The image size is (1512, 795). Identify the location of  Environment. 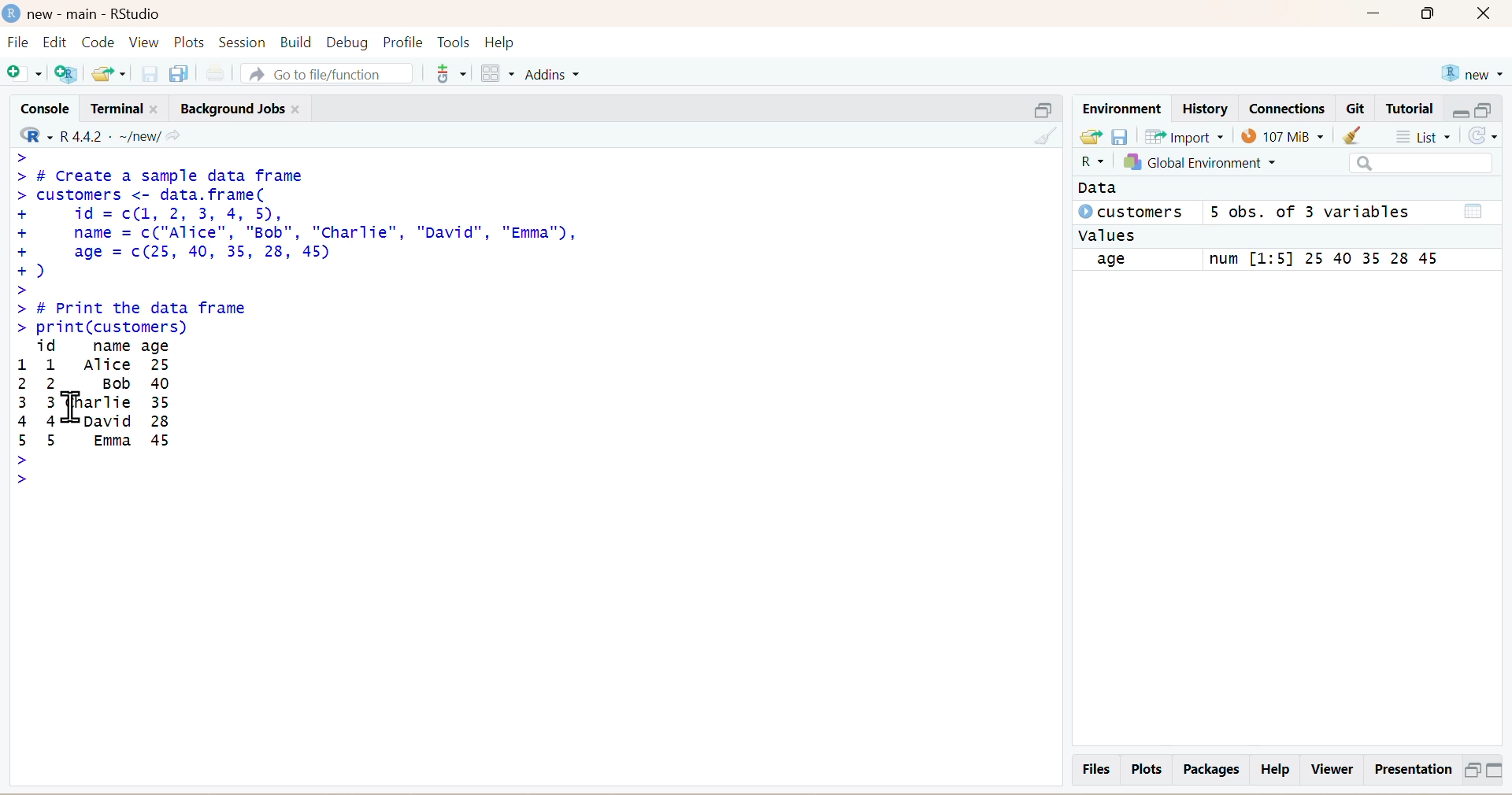
(1121, 107).